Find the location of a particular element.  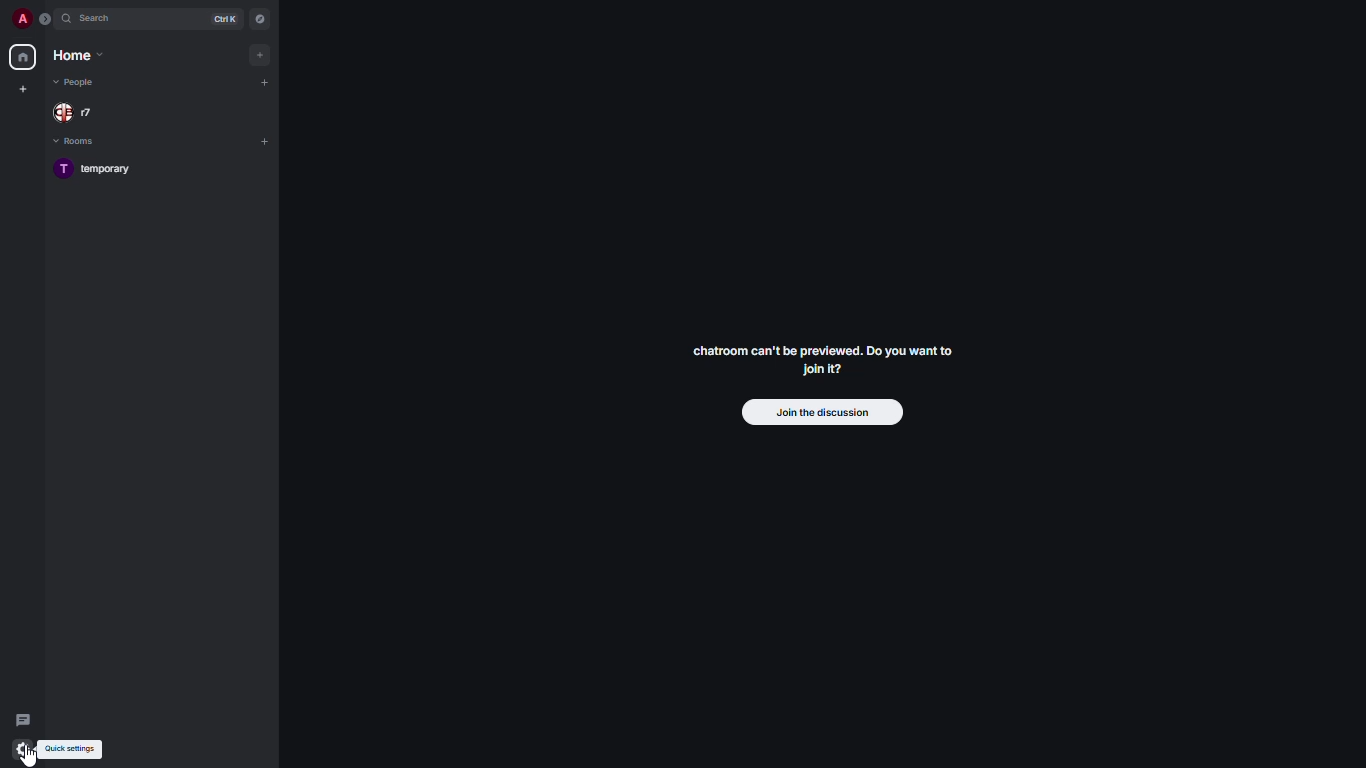

join the discussion is located at coordinates (822, 411).